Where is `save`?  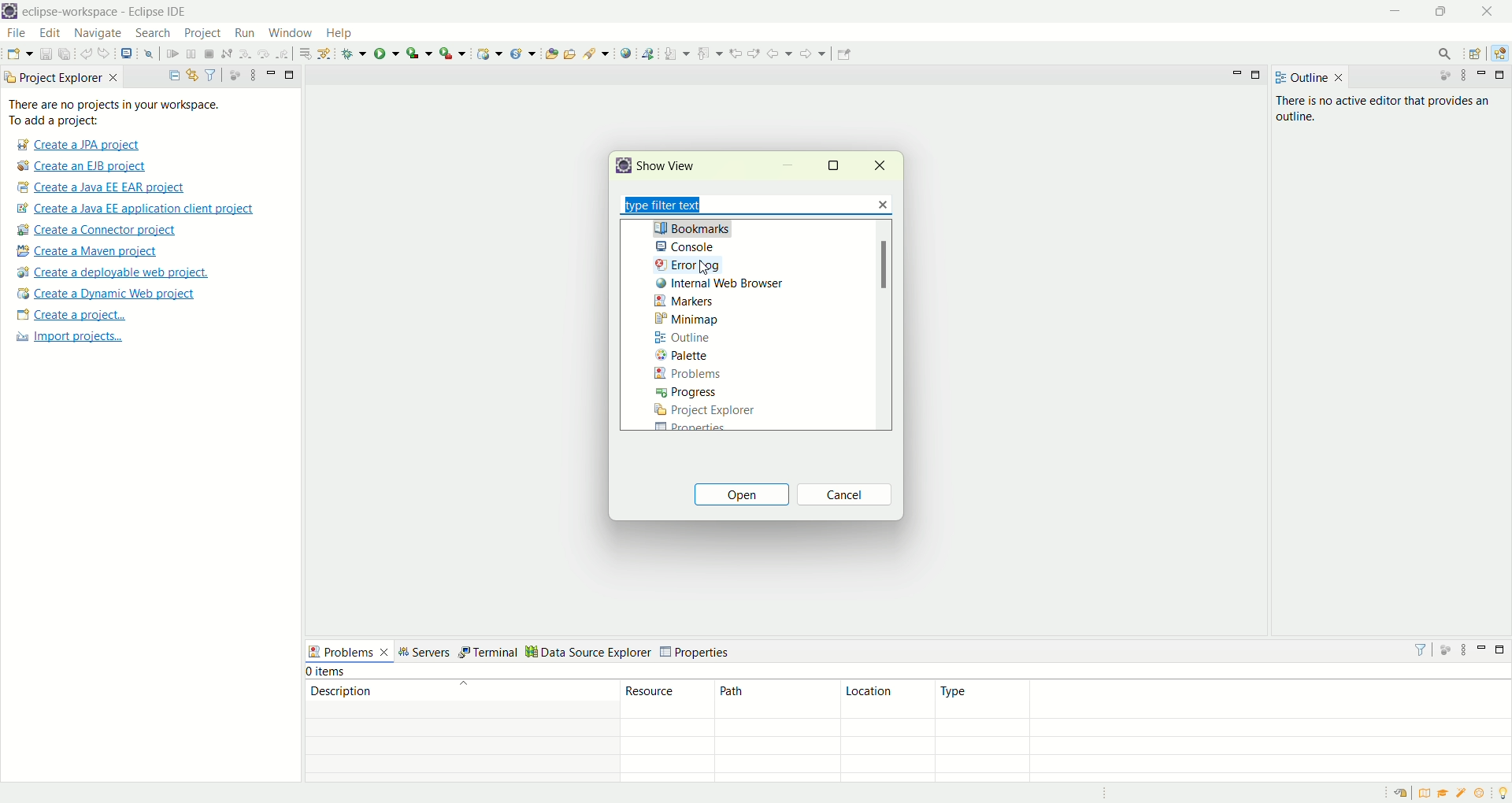 save is located at coordinates (45, 54).